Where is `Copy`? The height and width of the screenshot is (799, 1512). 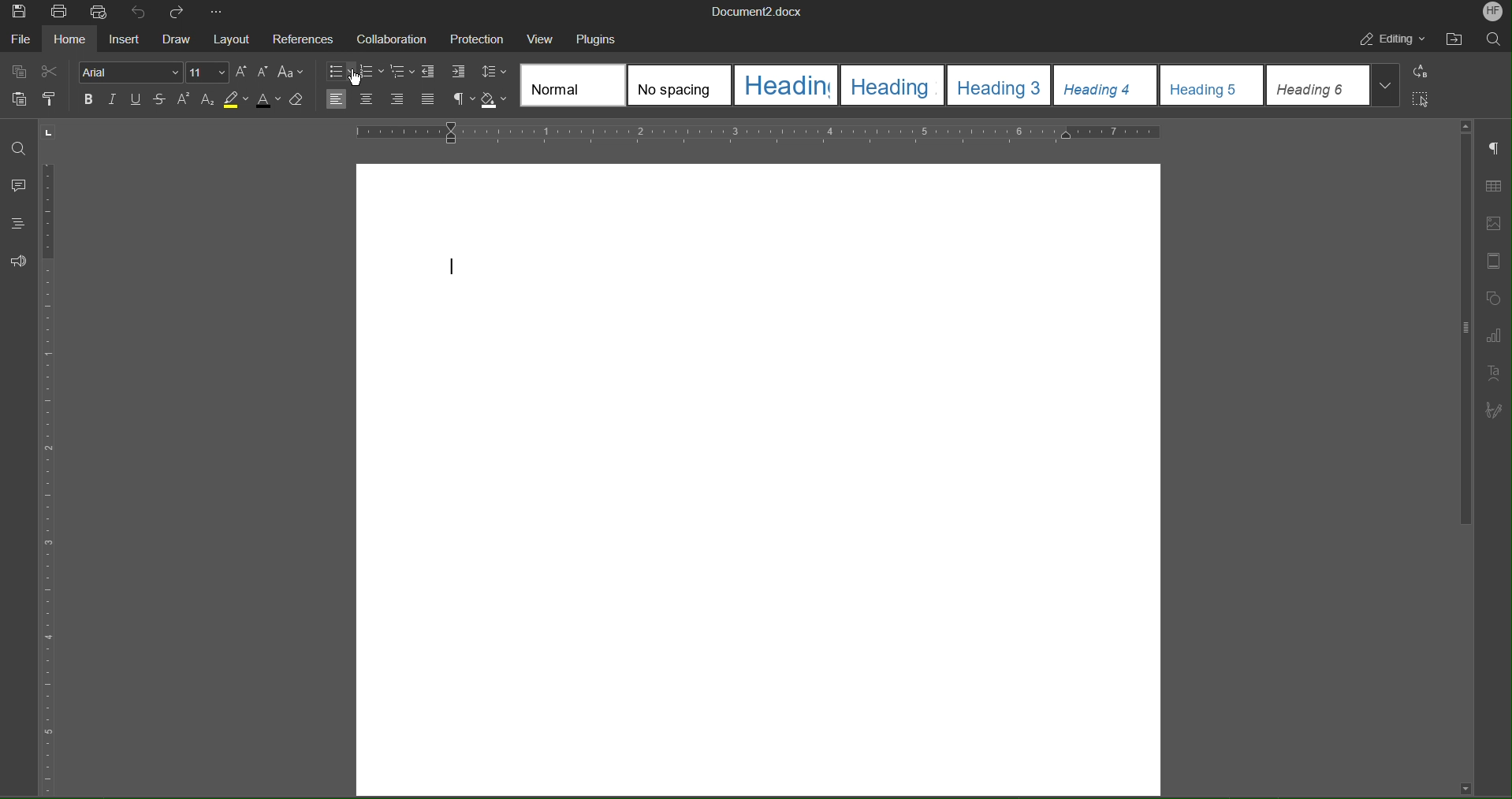
Copy is located at coordinates (18, 71).